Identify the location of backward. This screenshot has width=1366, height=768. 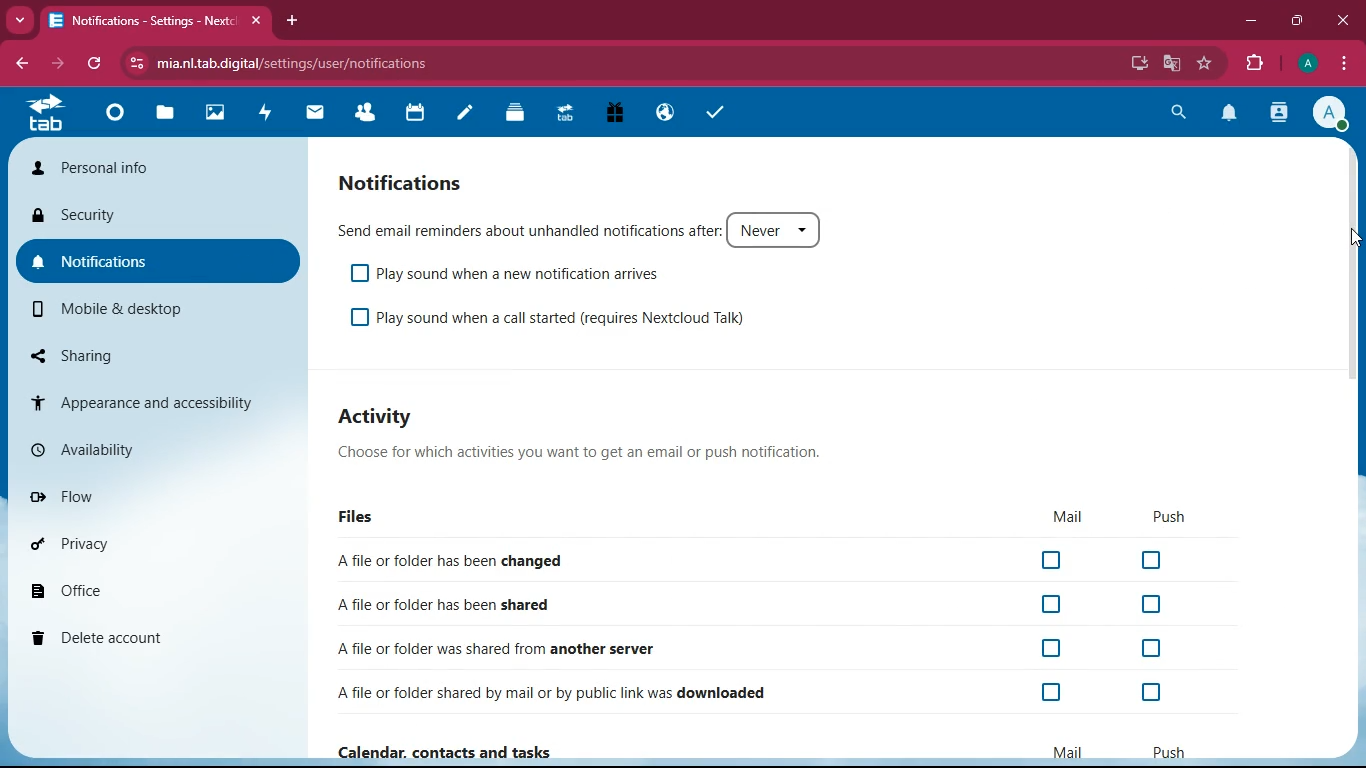
(19, 61).